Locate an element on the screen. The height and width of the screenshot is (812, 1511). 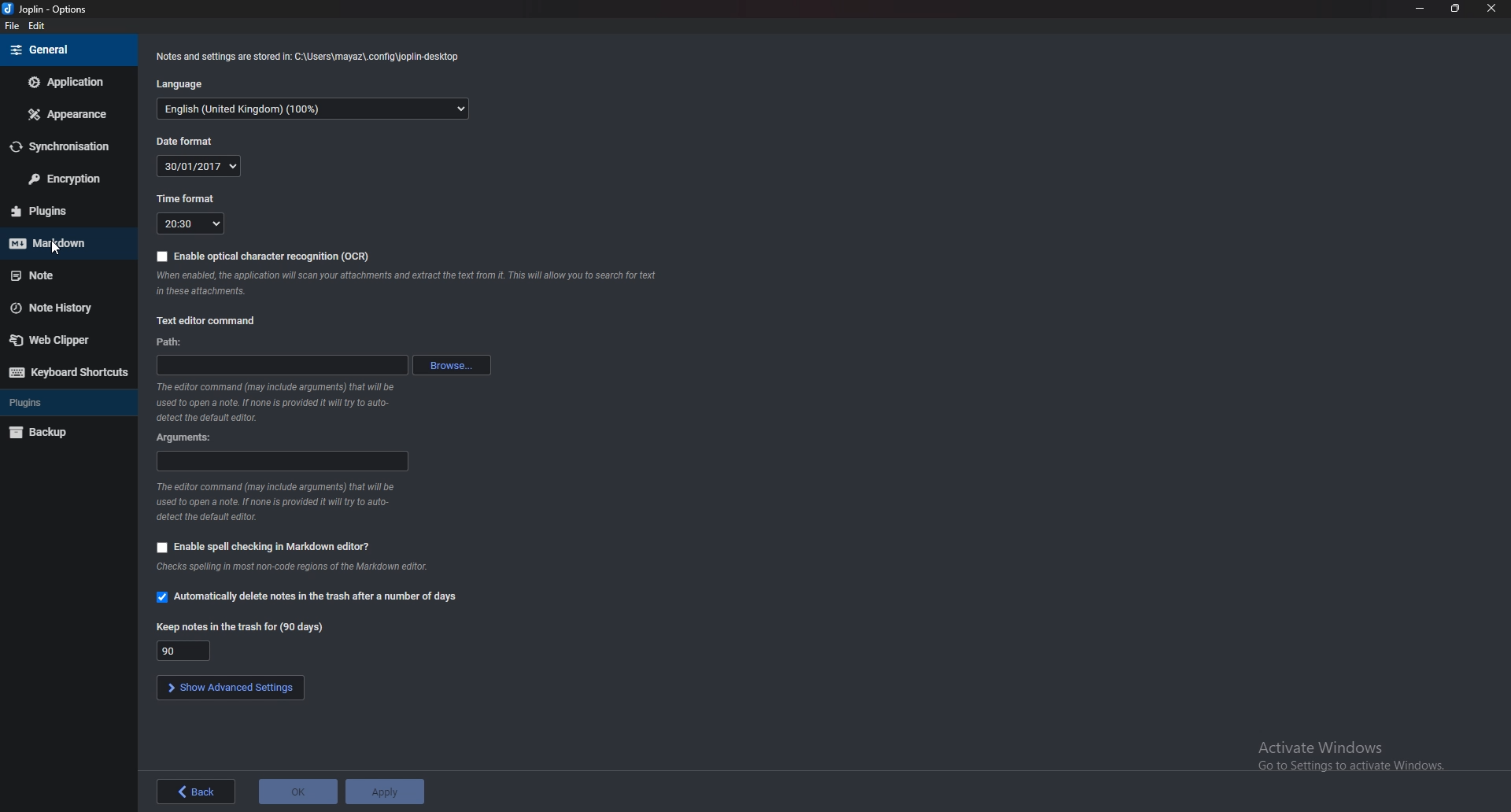
back is located at coordinates (197, 792).